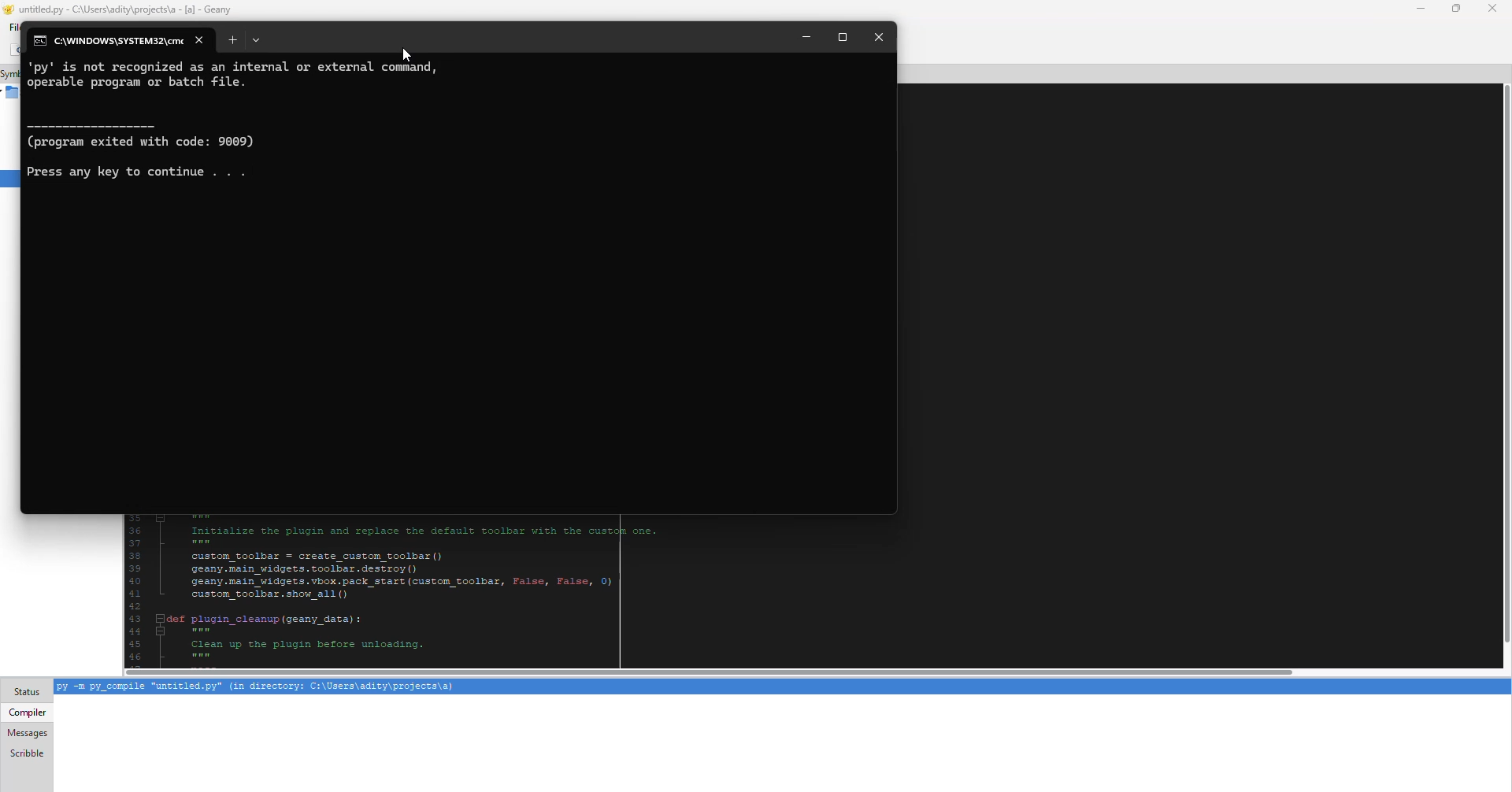 The width and height of the screenshot is (1512, 792). Describe the element at coordinates (143, 172) in the screenshot. I see `press any key` at that location.